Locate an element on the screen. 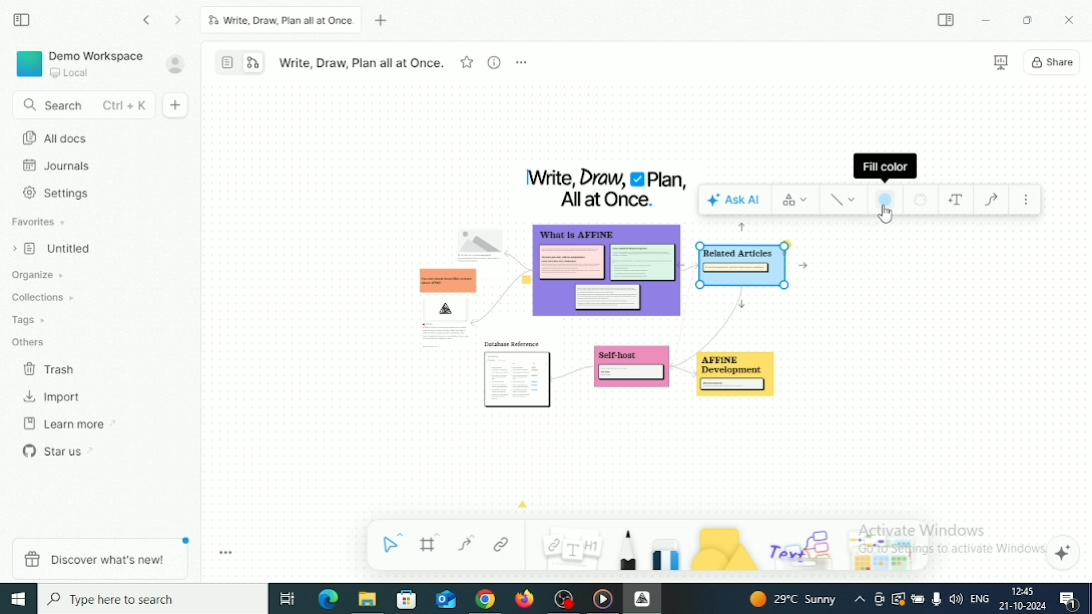 The width and height of the screenshot is (1092, 614). Warning is located at coordinates (898, 599).